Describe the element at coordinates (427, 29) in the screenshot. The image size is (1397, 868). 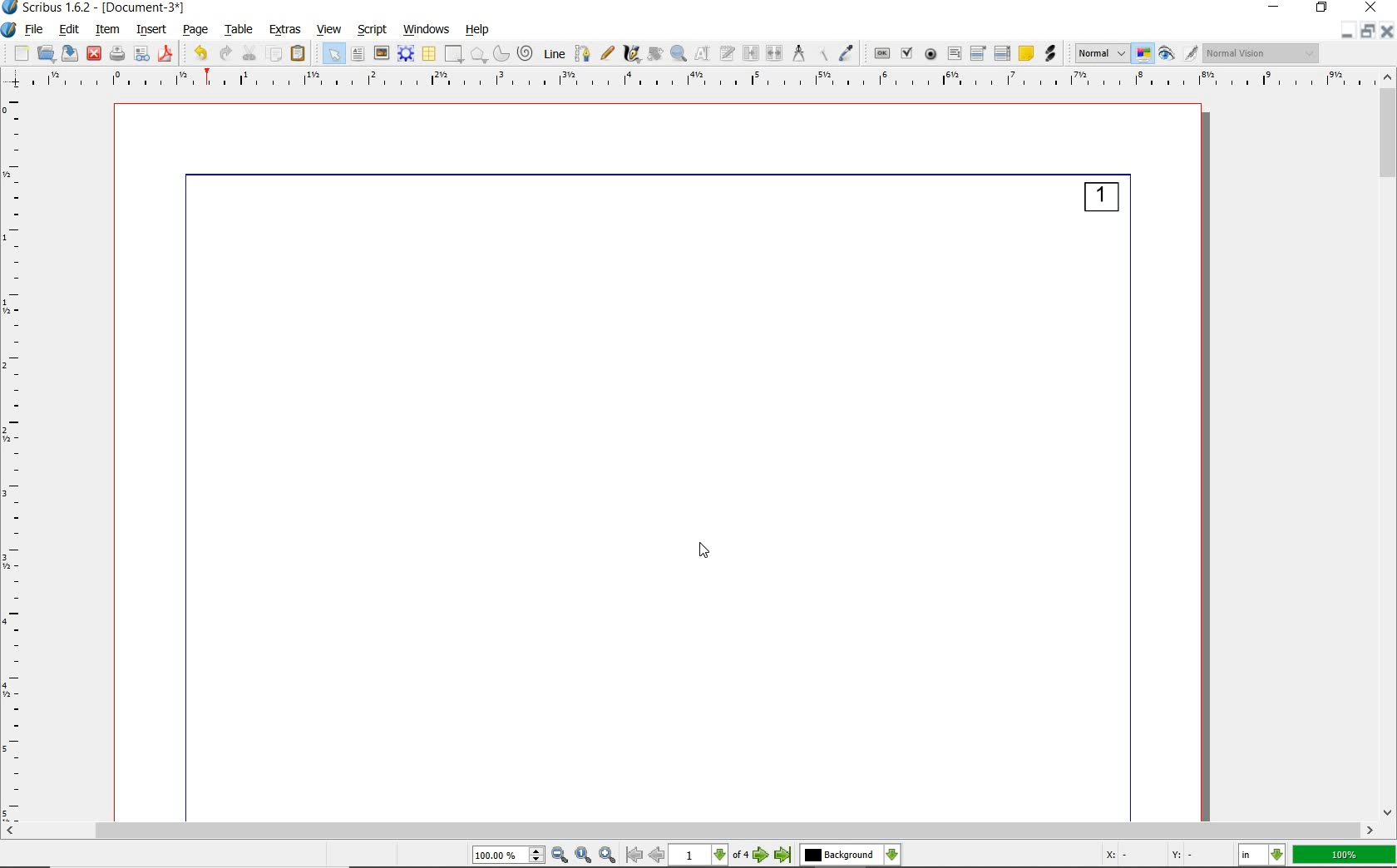
I see `windows` at that location.